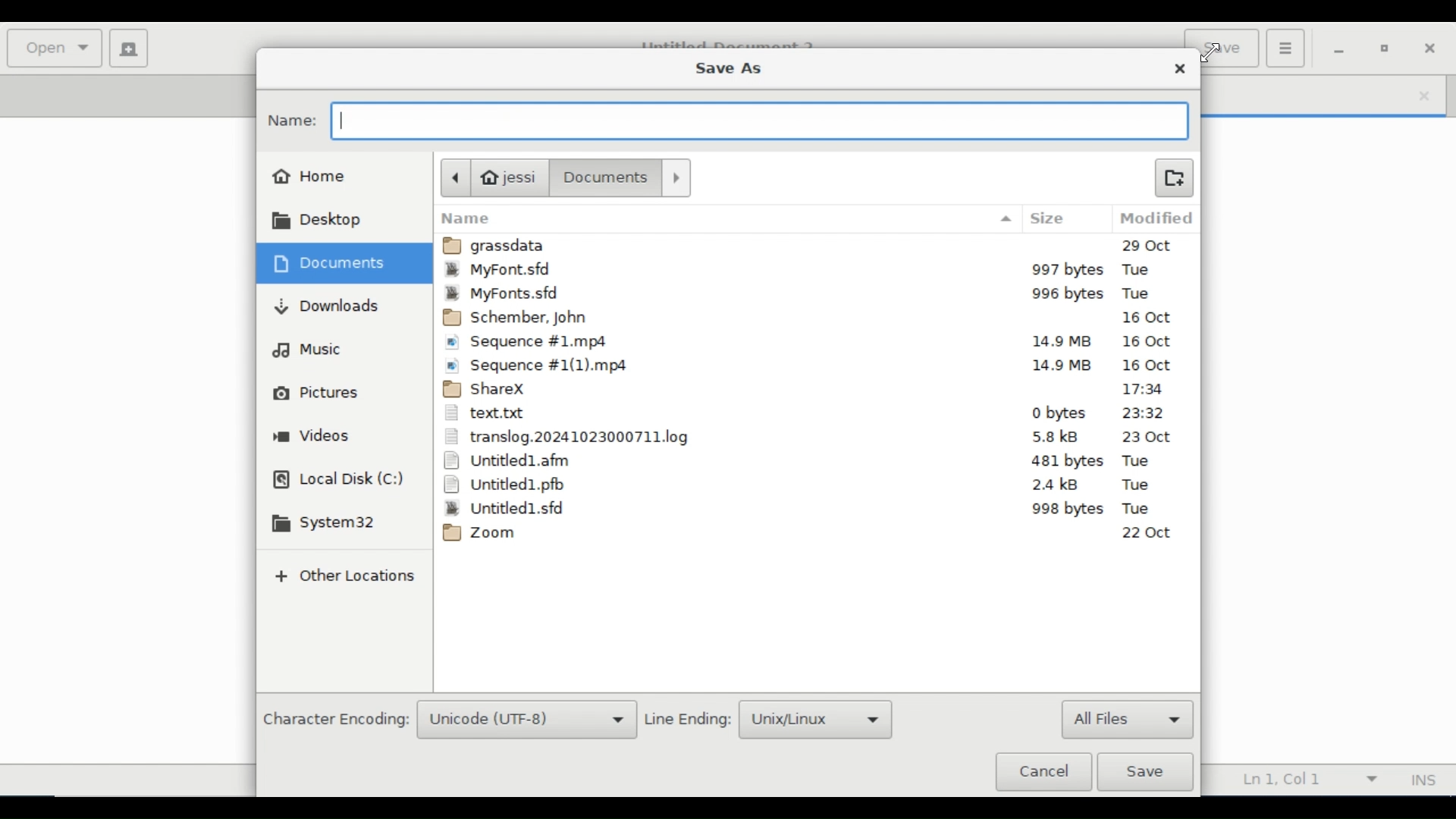  Describe the element at coordinates (1339, 50) in the screenshot. I see `minimize` at that location.